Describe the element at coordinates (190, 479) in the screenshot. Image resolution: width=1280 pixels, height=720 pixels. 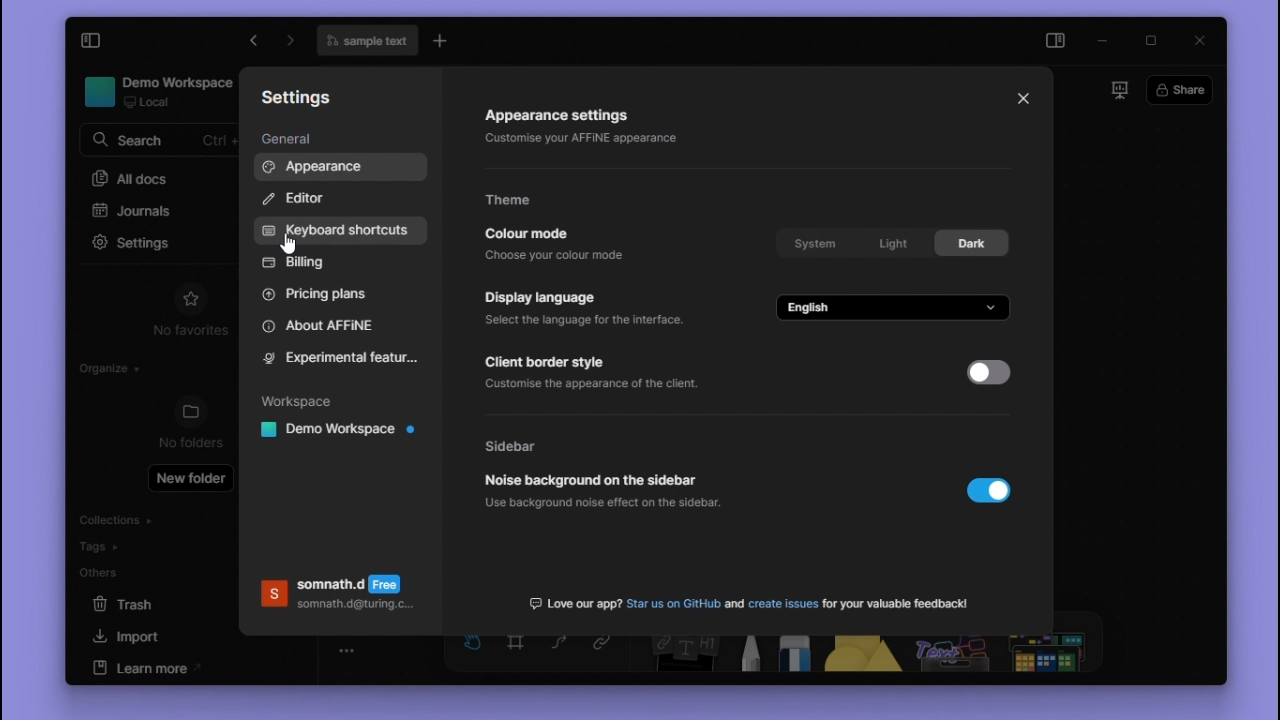
I see `new folder` at that location.